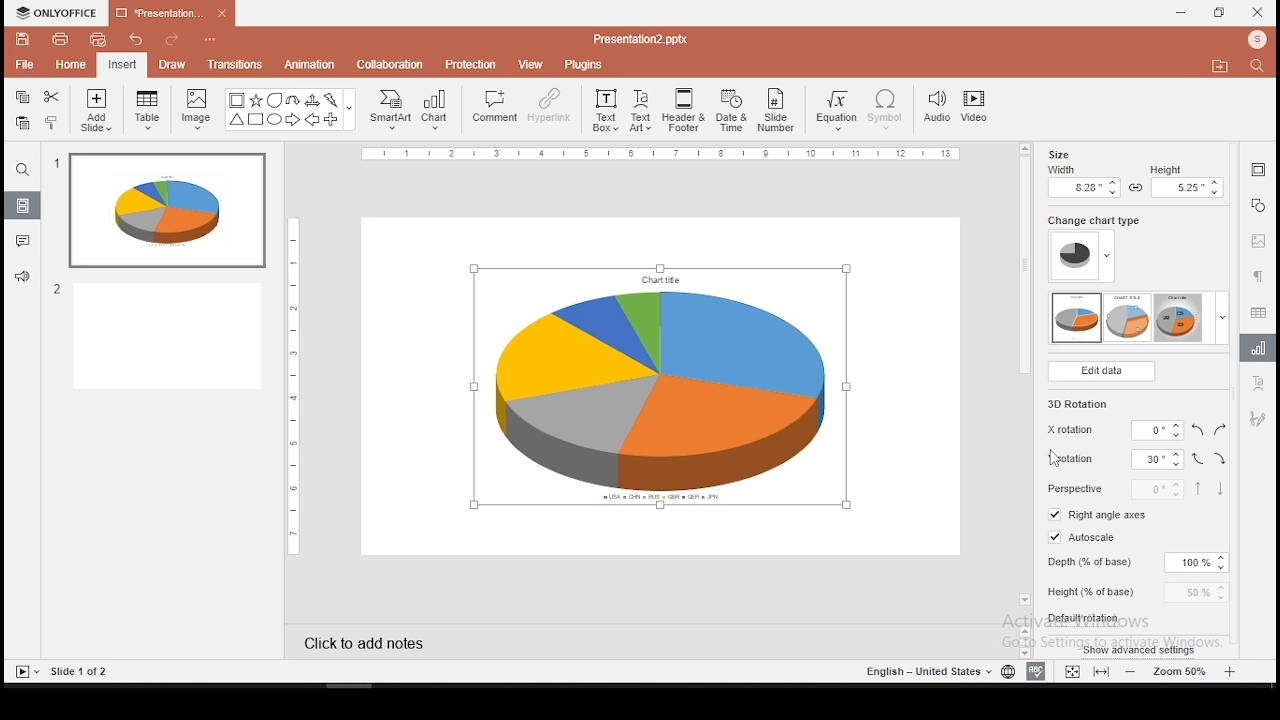  I want to click on Scale, so click(298, 386).